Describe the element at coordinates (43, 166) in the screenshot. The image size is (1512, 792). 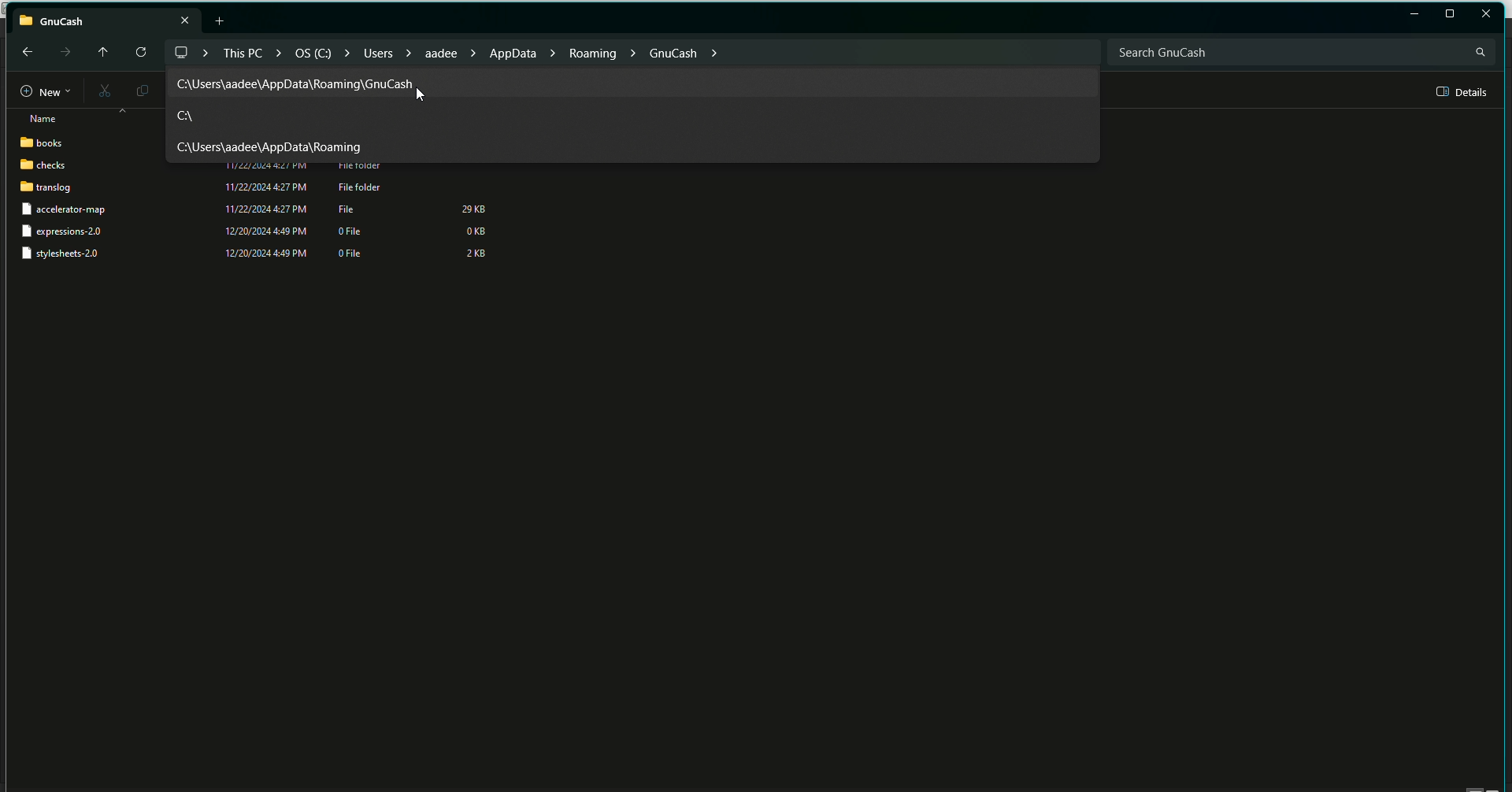
I see `checks` at that location.